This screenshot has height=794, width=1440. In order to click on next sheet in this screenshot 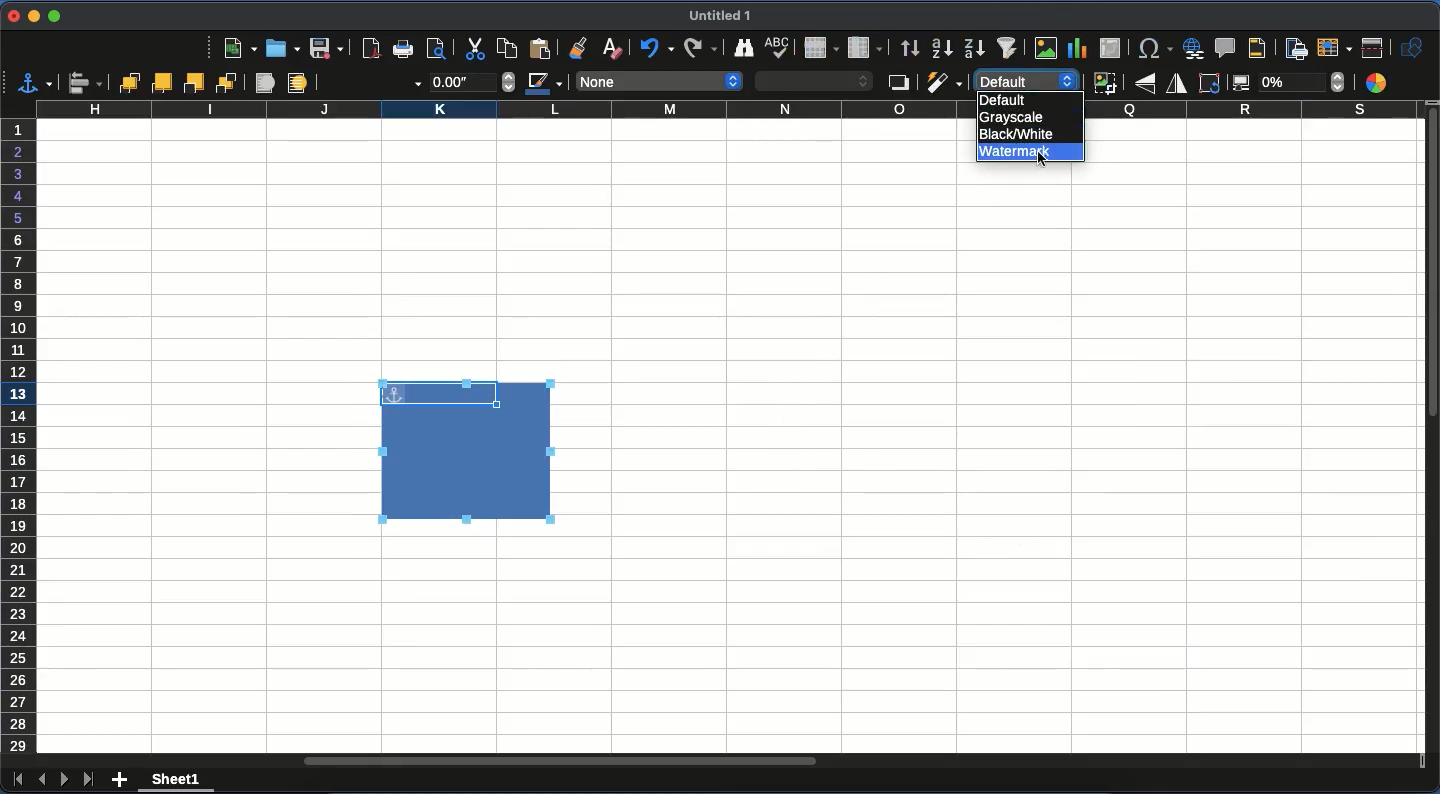, I will do `click(65, 779)`.